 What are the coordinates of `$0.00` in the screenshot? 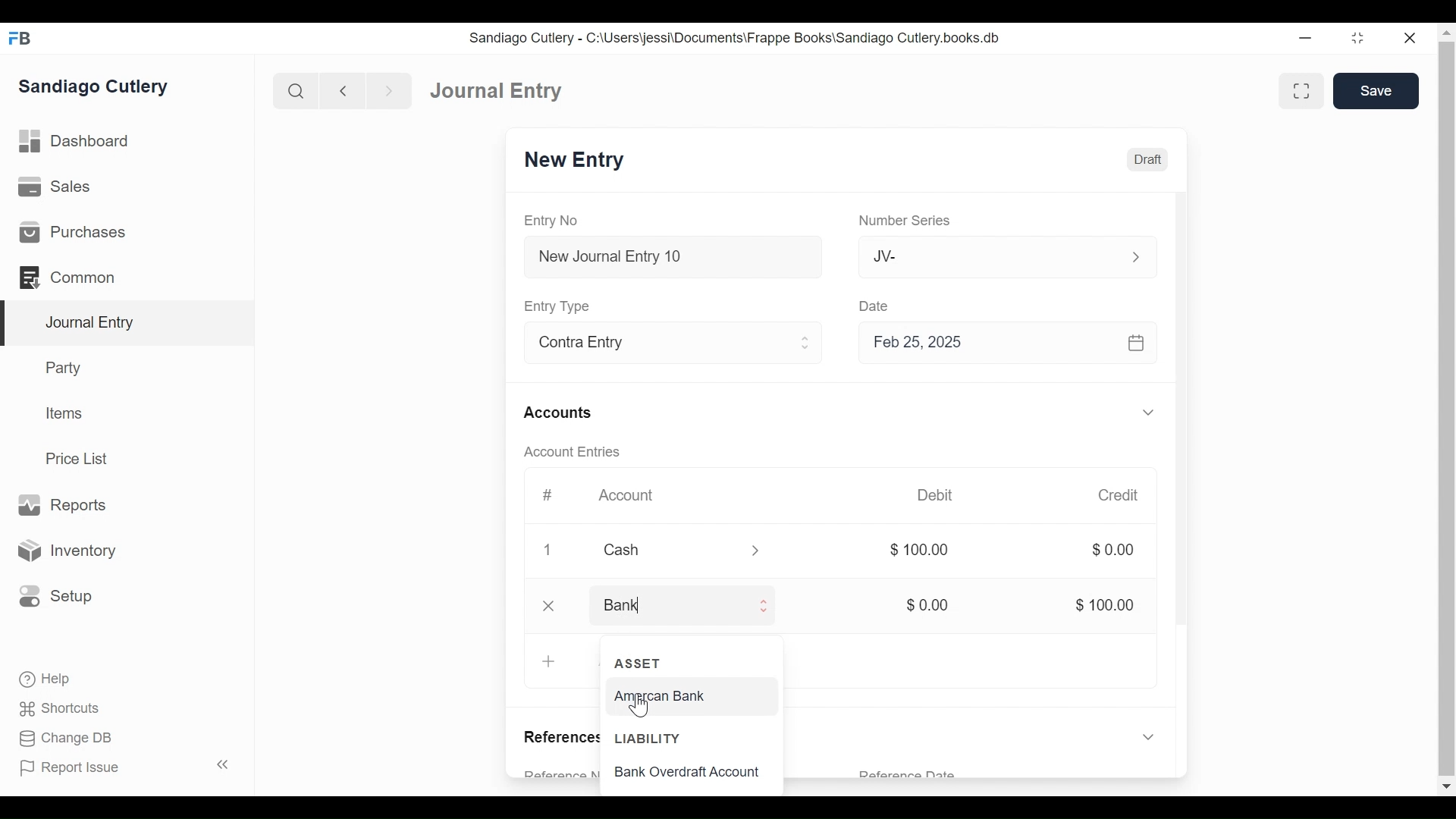 It's located at (1112, 551).